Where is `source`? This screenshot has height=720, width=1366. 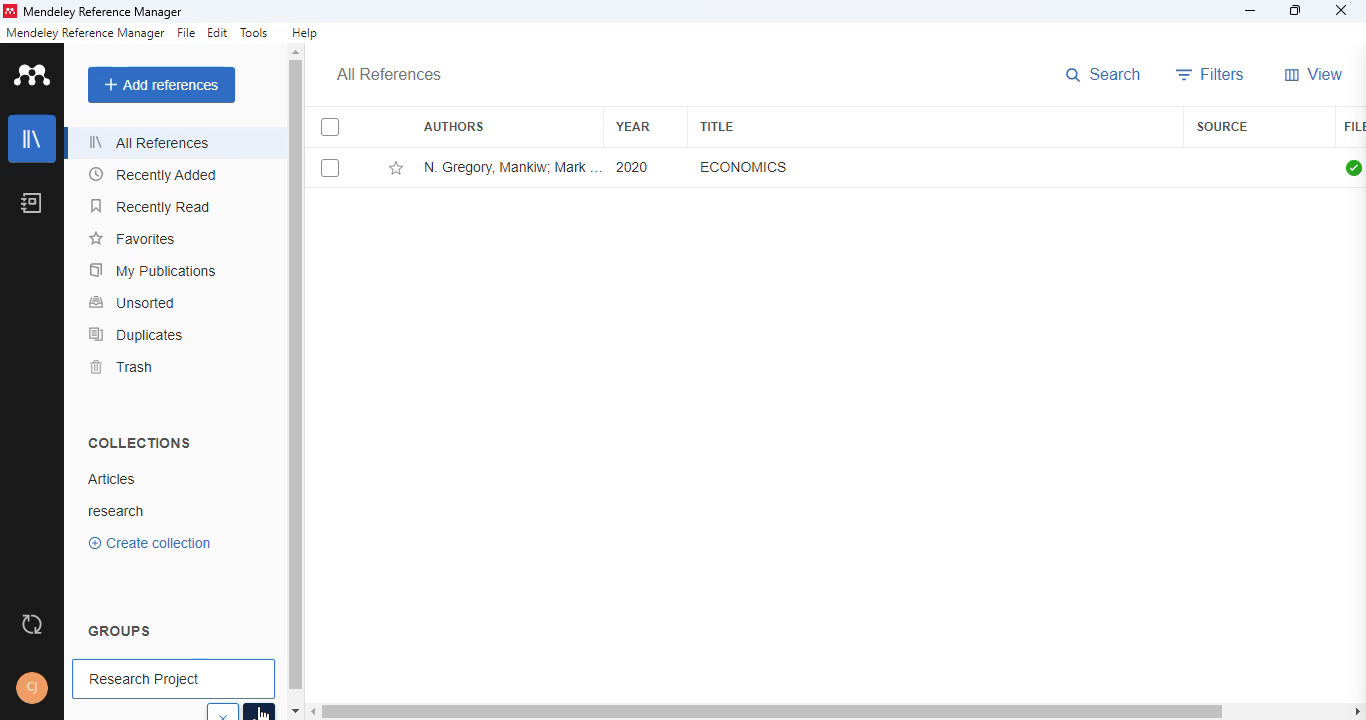
source is located at coordinates (1223, 128).